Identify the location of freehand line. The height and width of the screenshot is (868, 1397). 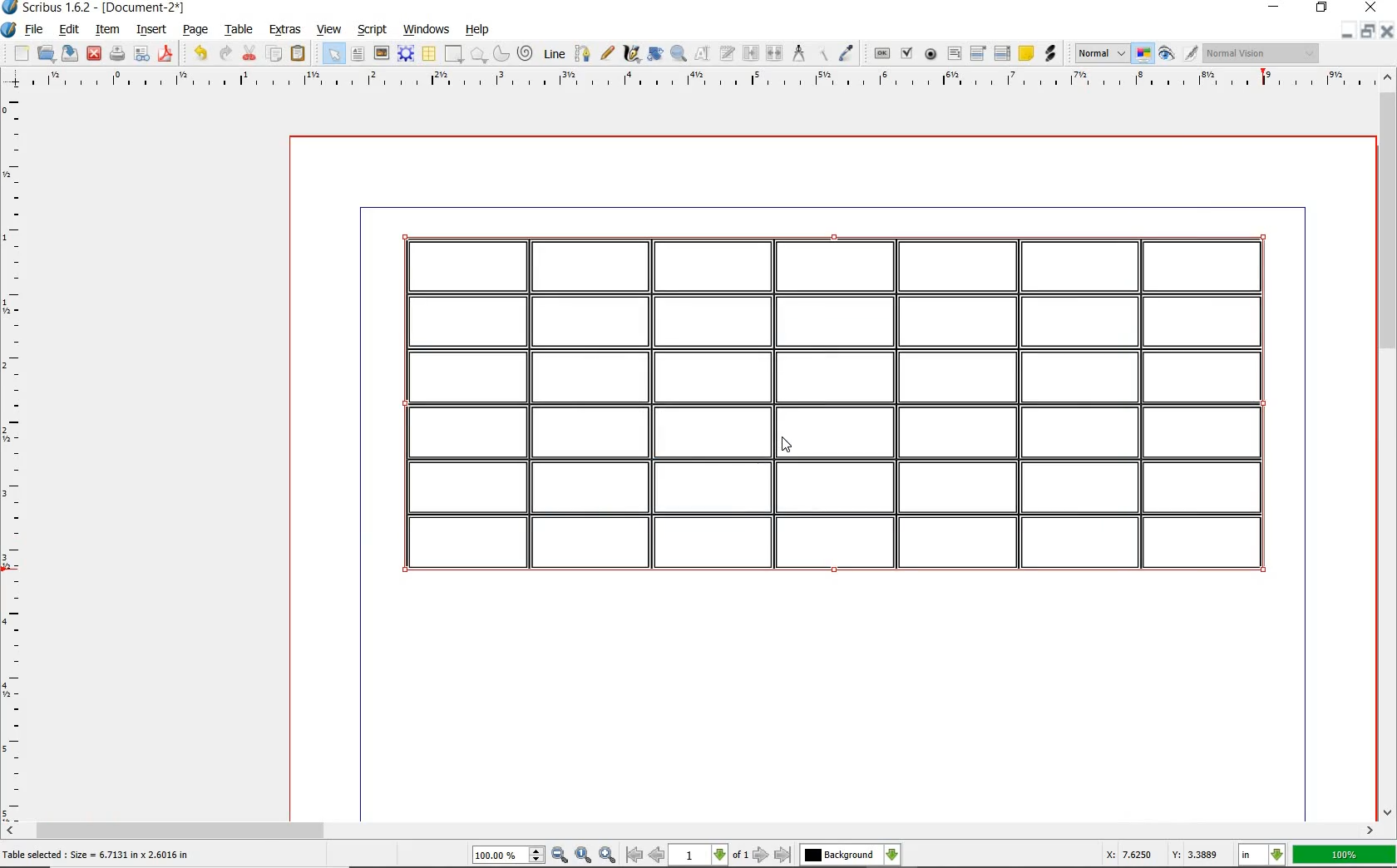
(608, 54).